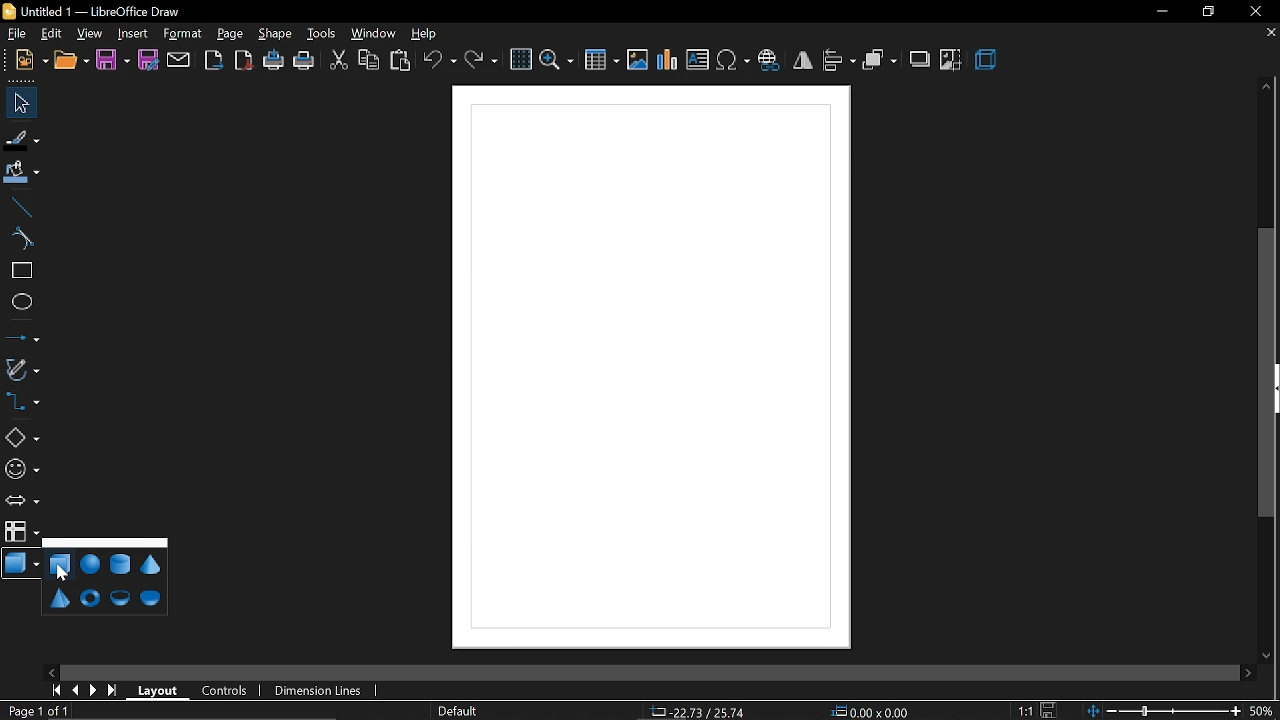 This screenshot has height=720, width=1280. Describe the element at coordinates (214, 60) in the screenshot. I see `export` at that location.